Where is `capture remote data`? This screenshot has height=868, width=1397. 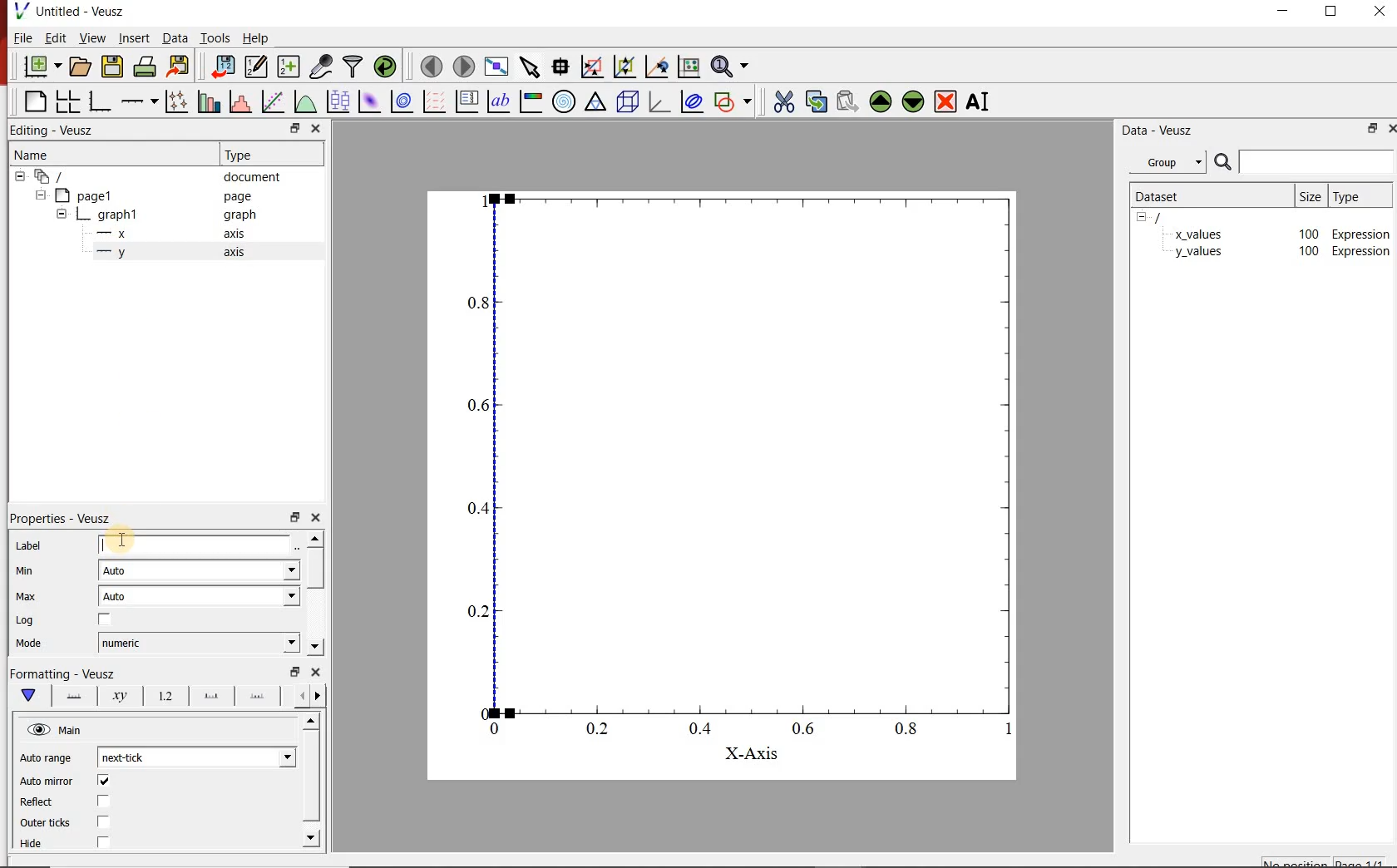 capture remote data is located at coordinates (321, 66).